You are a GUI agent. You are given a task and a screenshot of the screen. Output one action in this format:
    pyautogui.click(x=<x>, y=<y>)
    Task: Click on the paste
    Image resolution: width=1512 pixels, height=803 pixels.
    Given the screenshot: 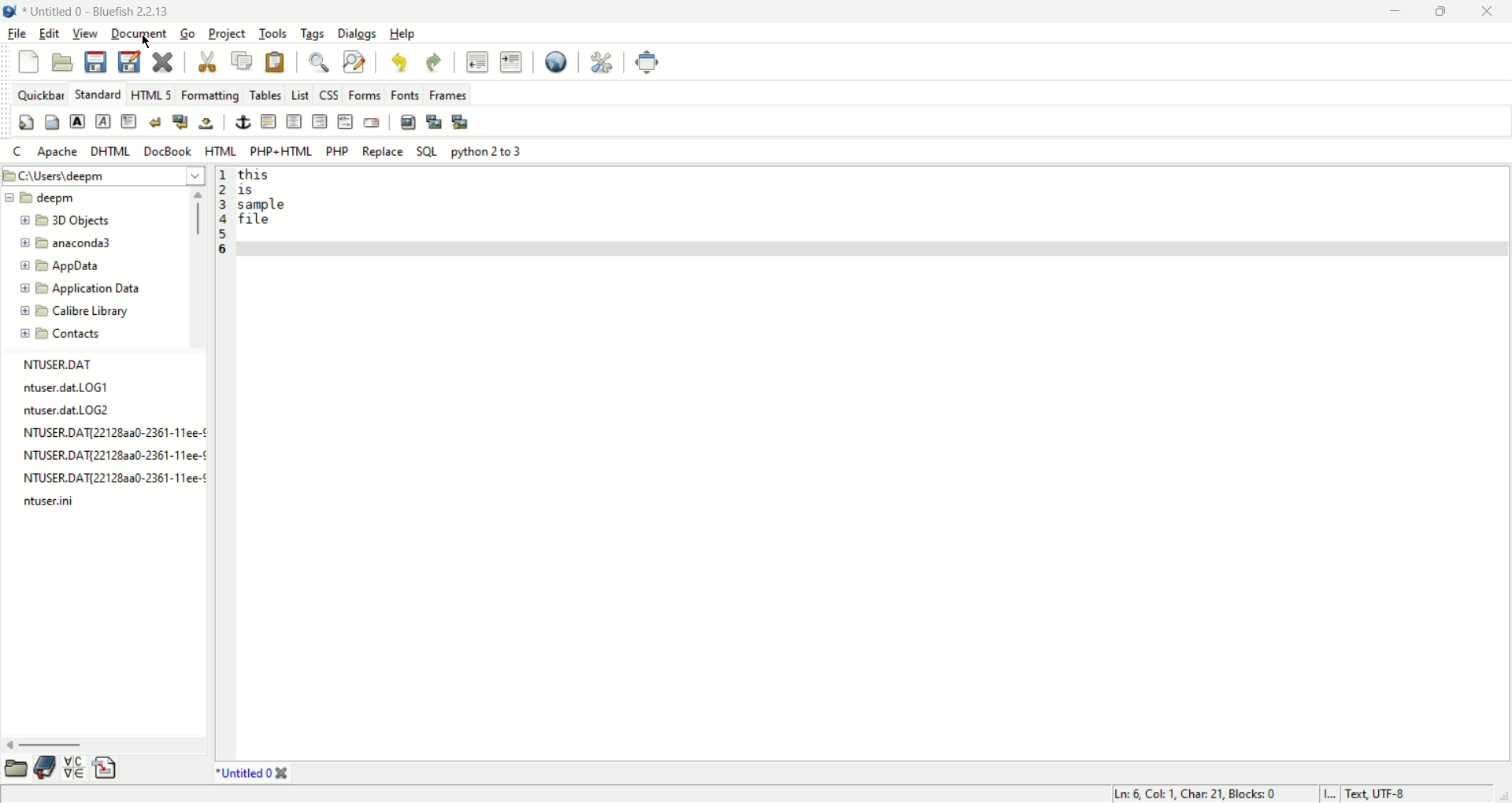 What is the action you would take?
    pyautogui.click(x=279, y=61)
    